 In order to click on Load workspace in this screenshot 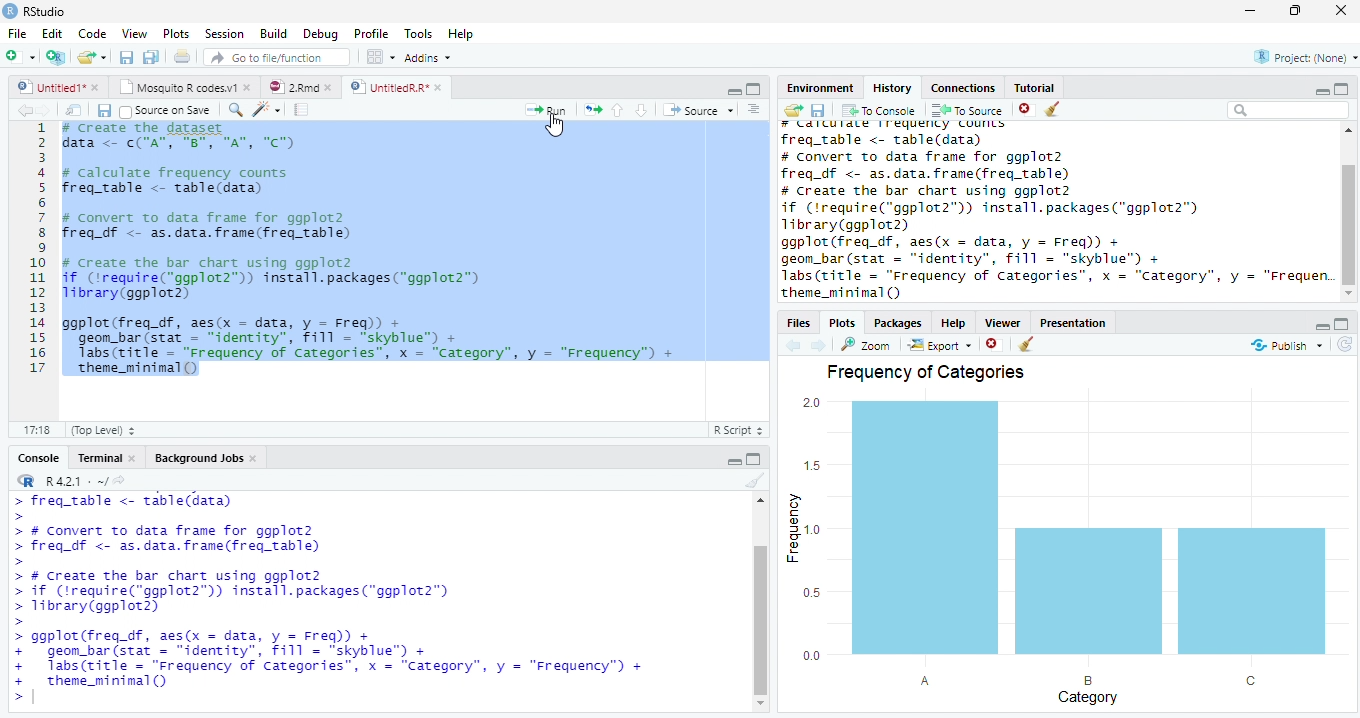, I will do `click(790, 112)`.